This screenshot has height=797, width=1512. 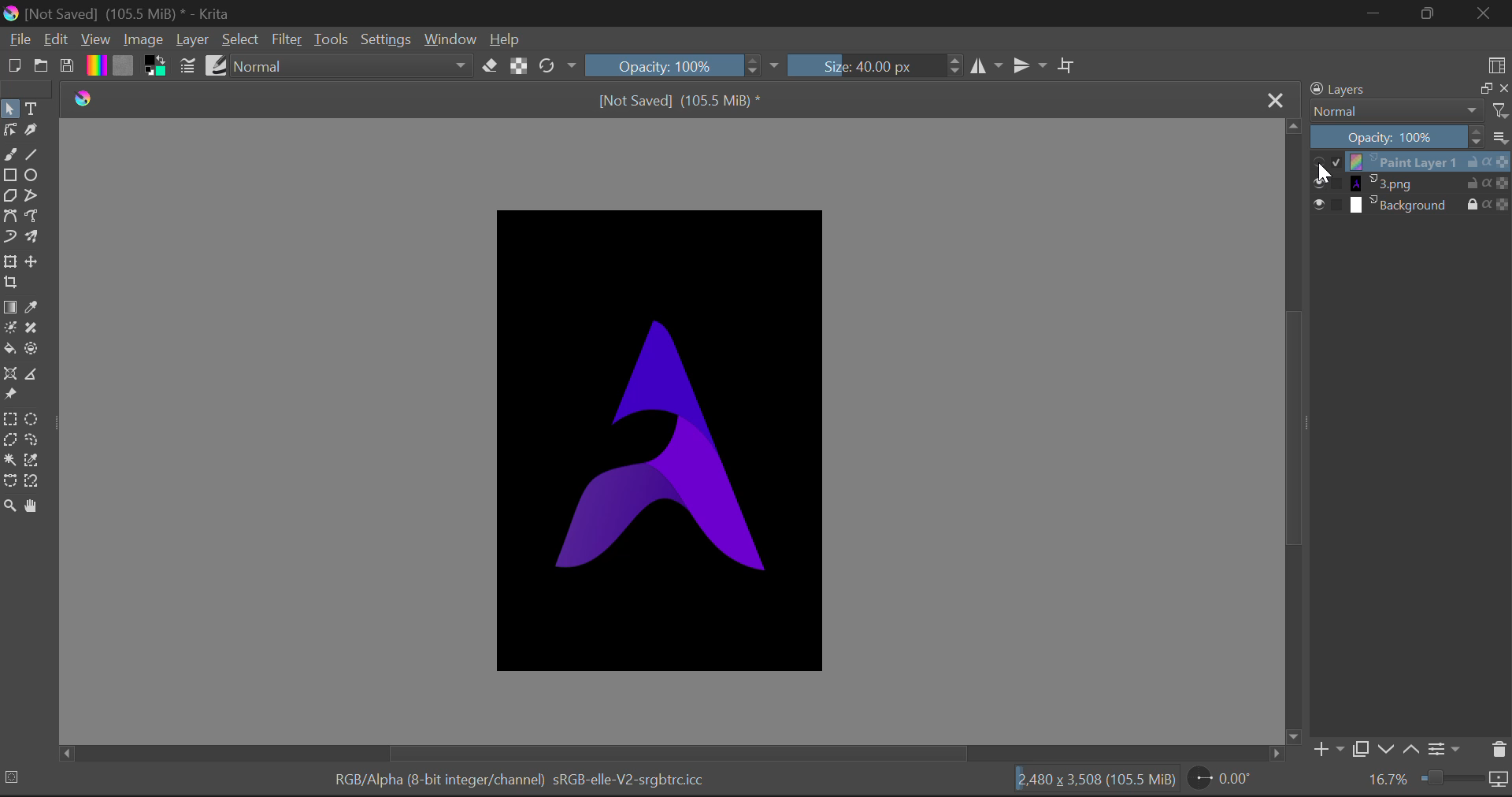 What do you see at coordinates (34, 418) in the screenshot?
I see `Circular Selection` at bounding box center [34, 418].